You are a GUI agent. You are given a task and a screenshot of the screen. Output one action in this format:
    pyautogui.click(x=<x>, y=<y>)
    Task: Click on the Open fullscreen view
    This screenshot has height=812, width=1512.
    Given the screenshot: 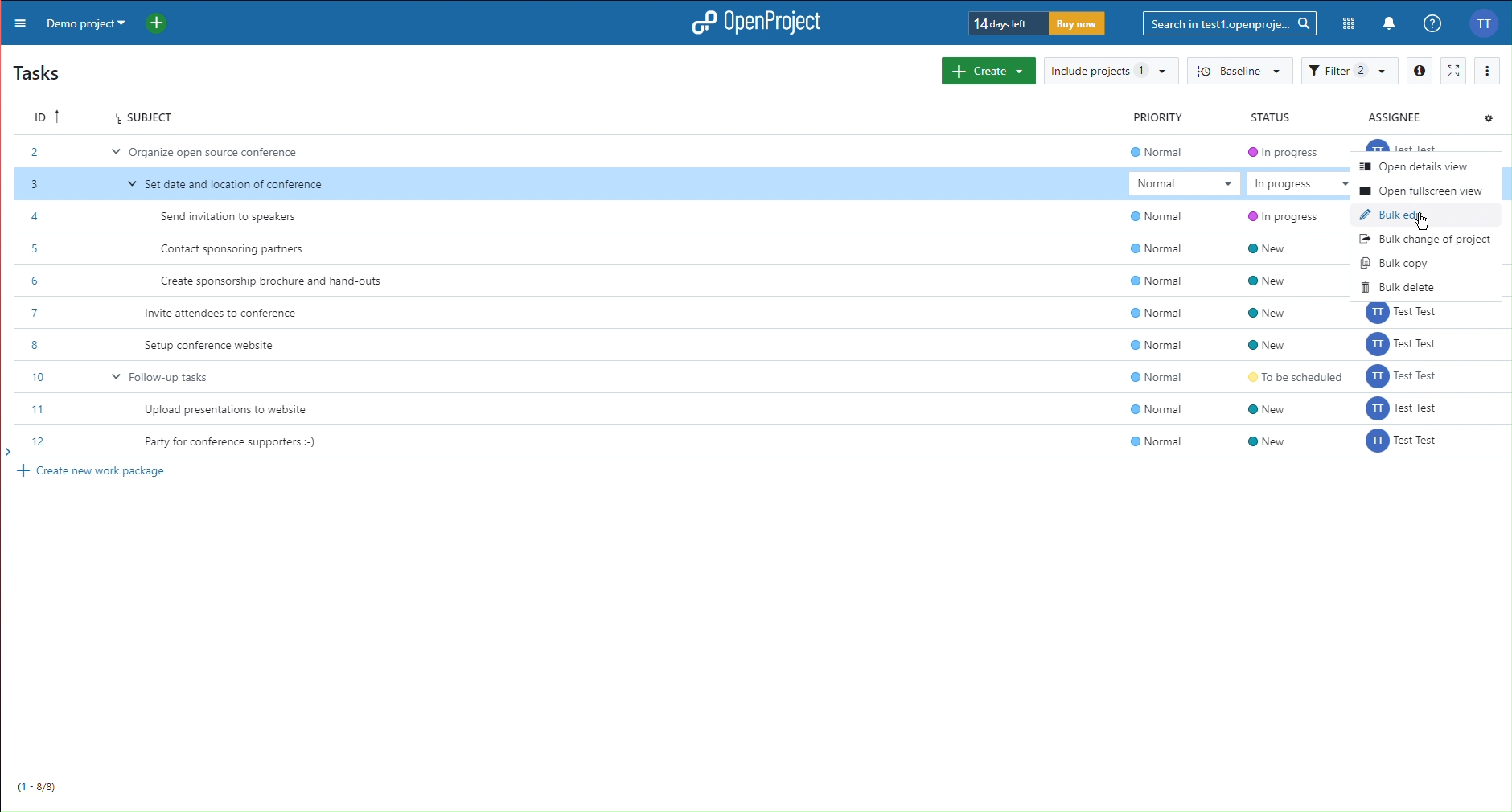 What is the action you would take?
    pyautogui.click(x=1420, y=190)
    